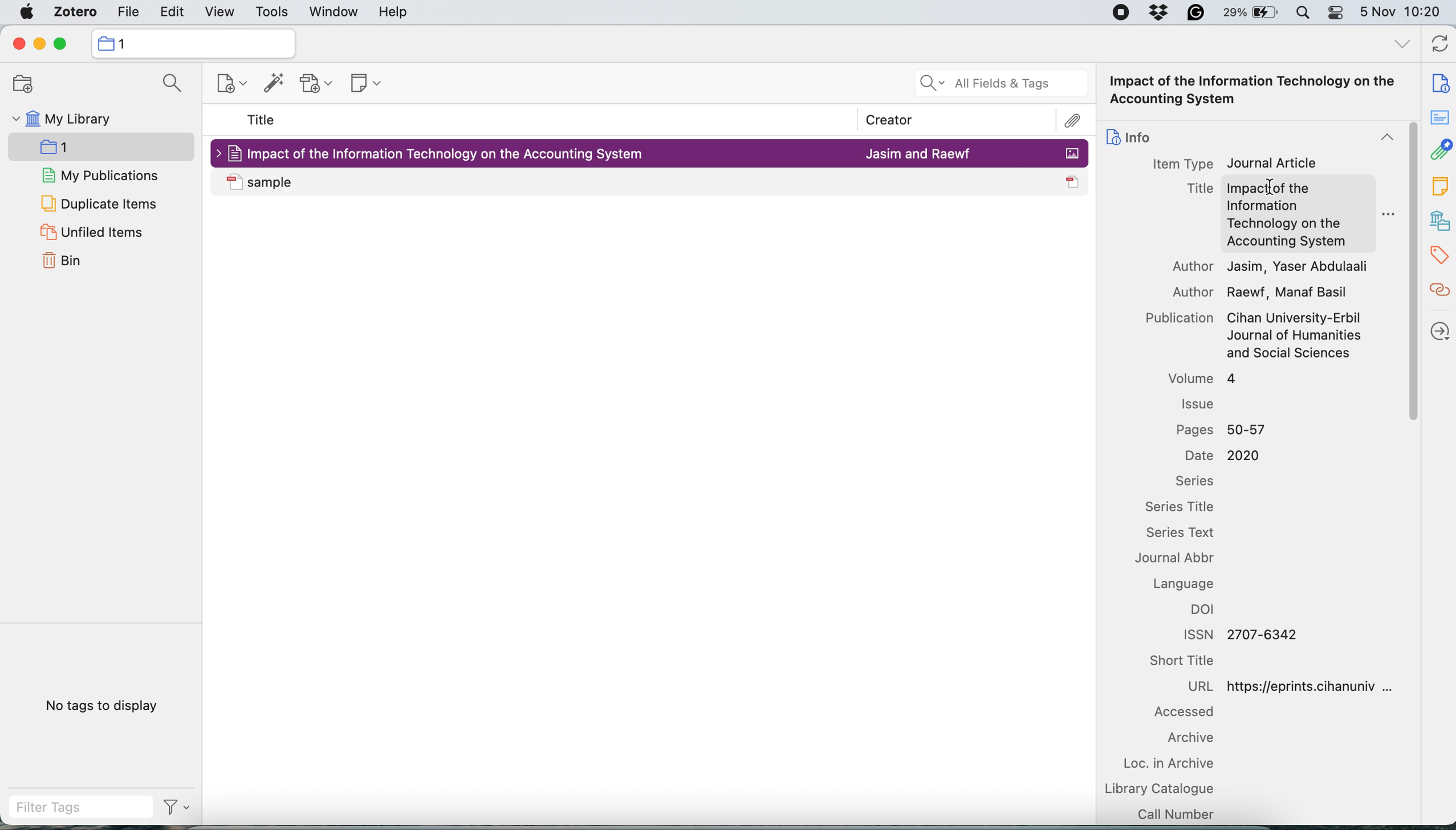  I want to click on cursor, so click(1272, 189).